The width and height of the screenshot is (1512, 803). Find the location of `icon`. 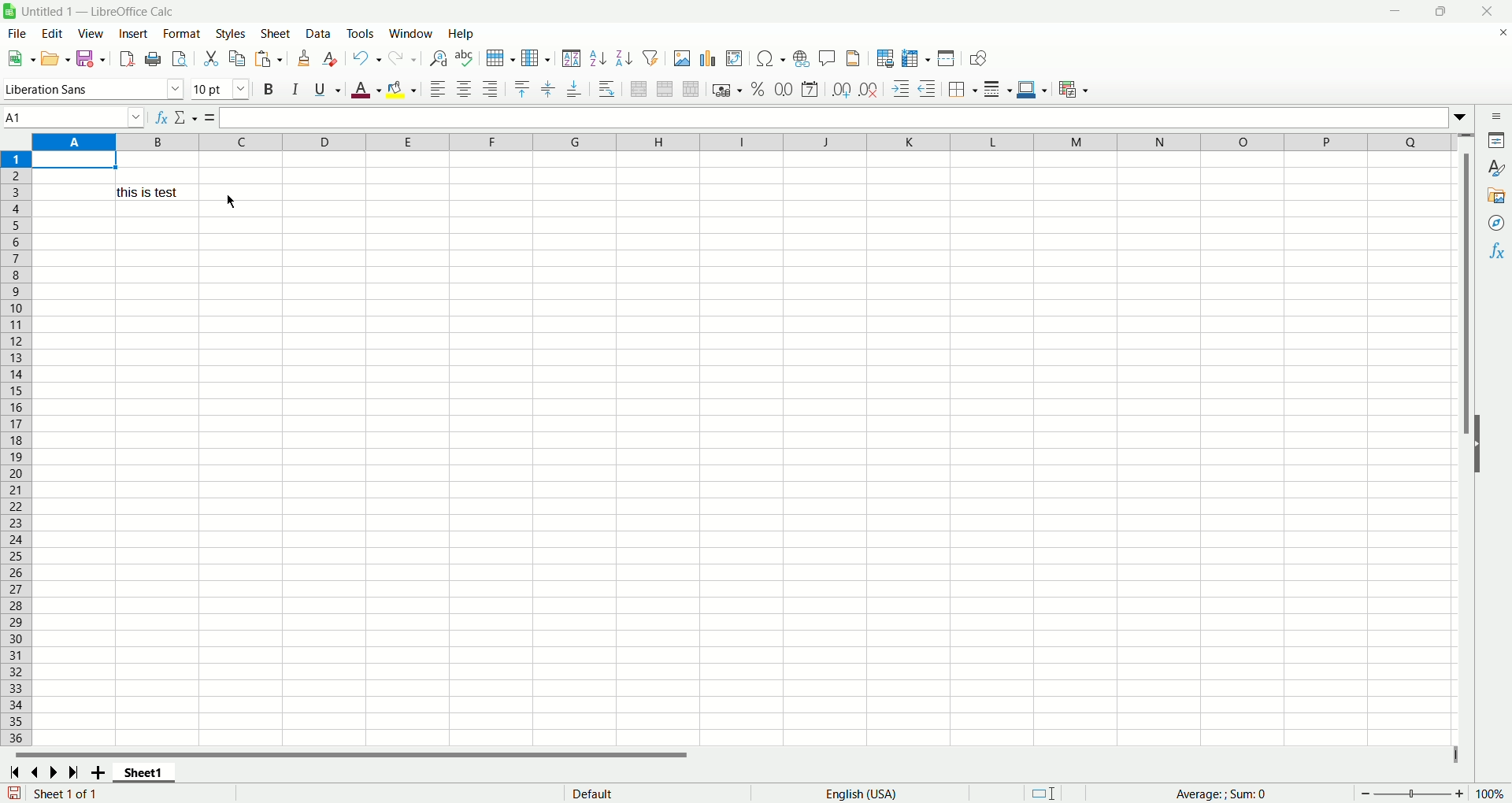

icon is located at coordinates (9, 11).